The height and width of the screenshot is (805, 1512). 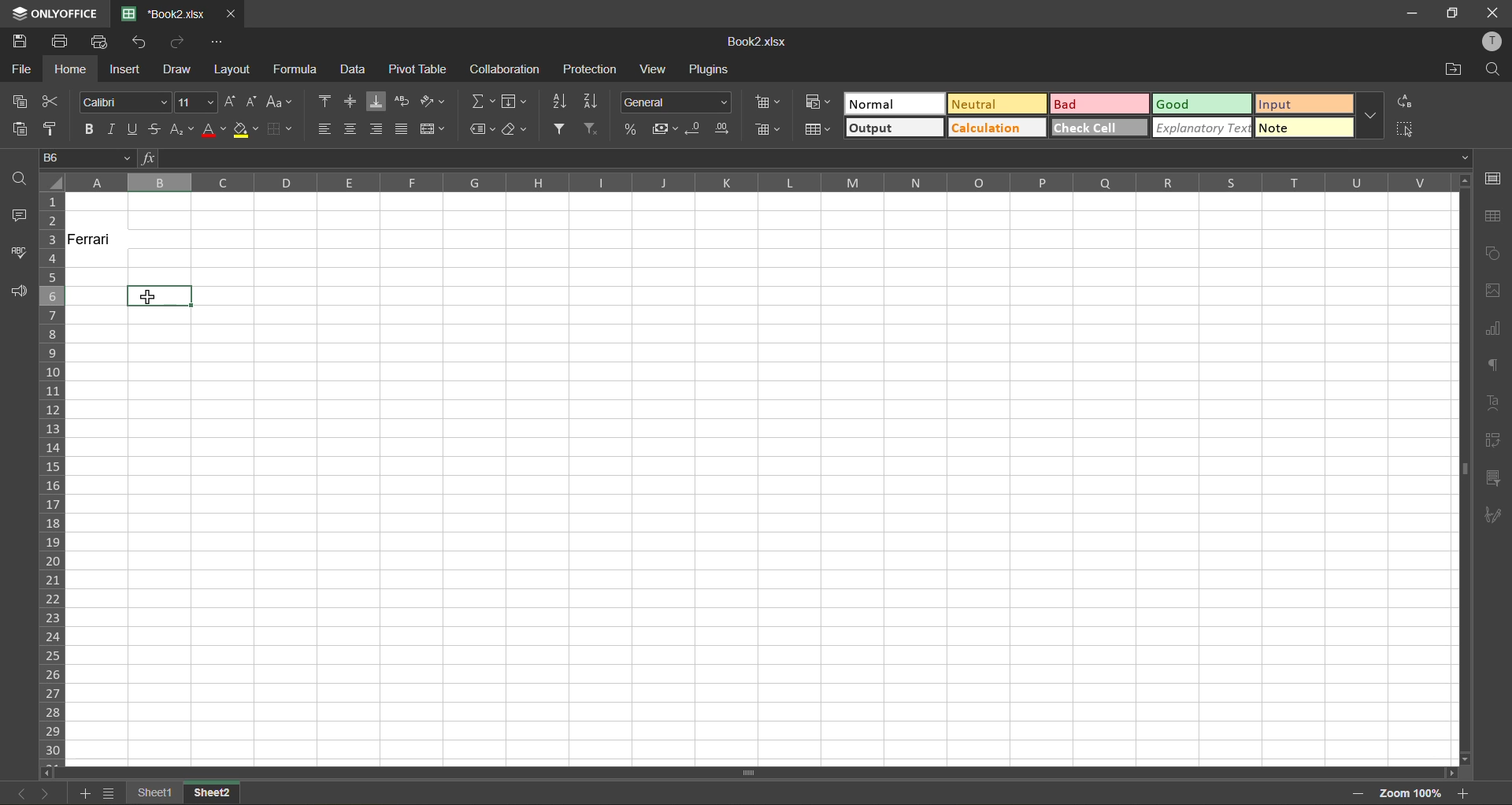 What do you see at coordinates (15, 252) in the screenshot?
I see `spellcheck` at bounding box center [15, 252].